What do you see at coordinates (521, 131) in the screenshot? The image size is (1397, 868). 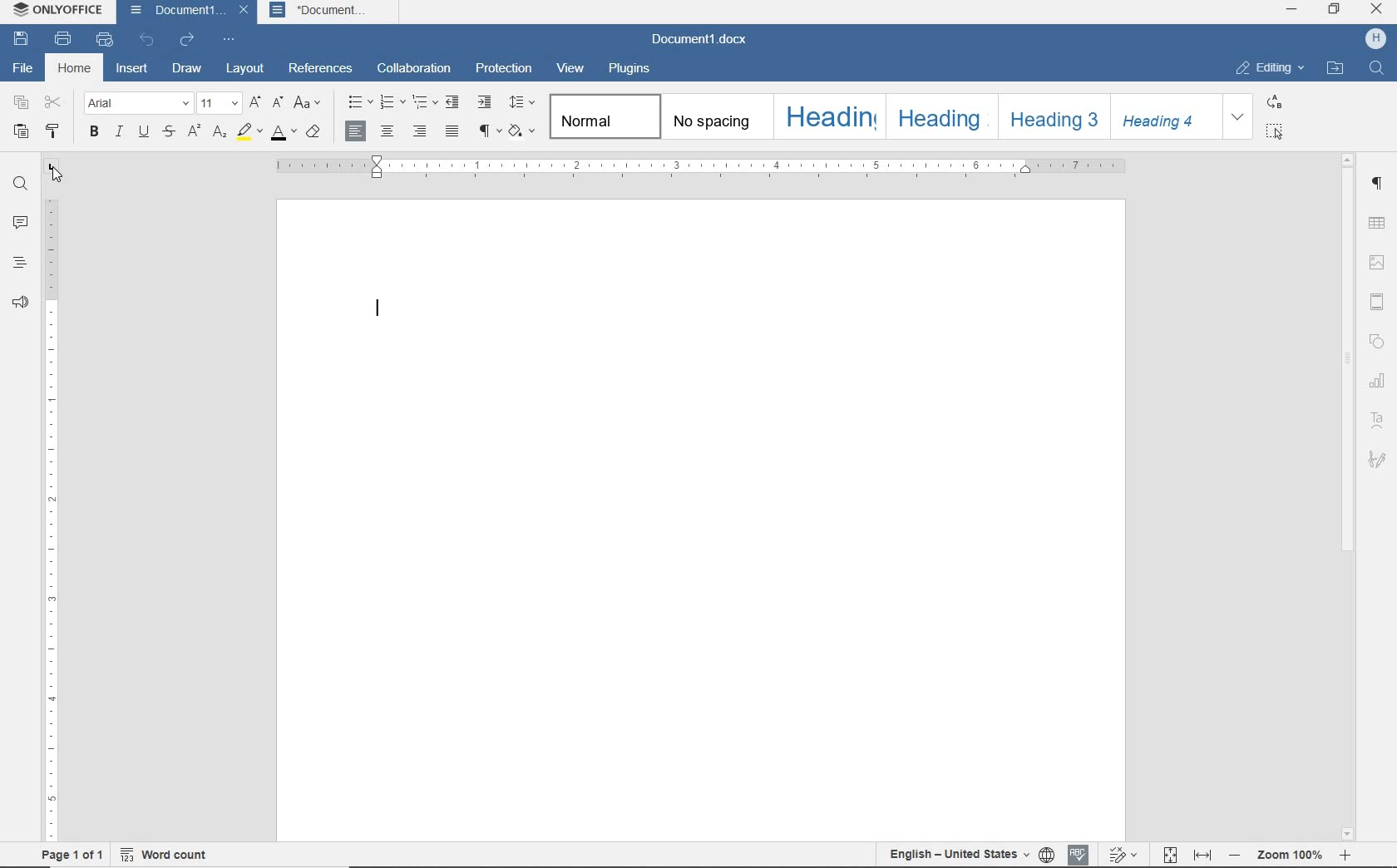 I see `SHADING` at bounding box center [521, 131].